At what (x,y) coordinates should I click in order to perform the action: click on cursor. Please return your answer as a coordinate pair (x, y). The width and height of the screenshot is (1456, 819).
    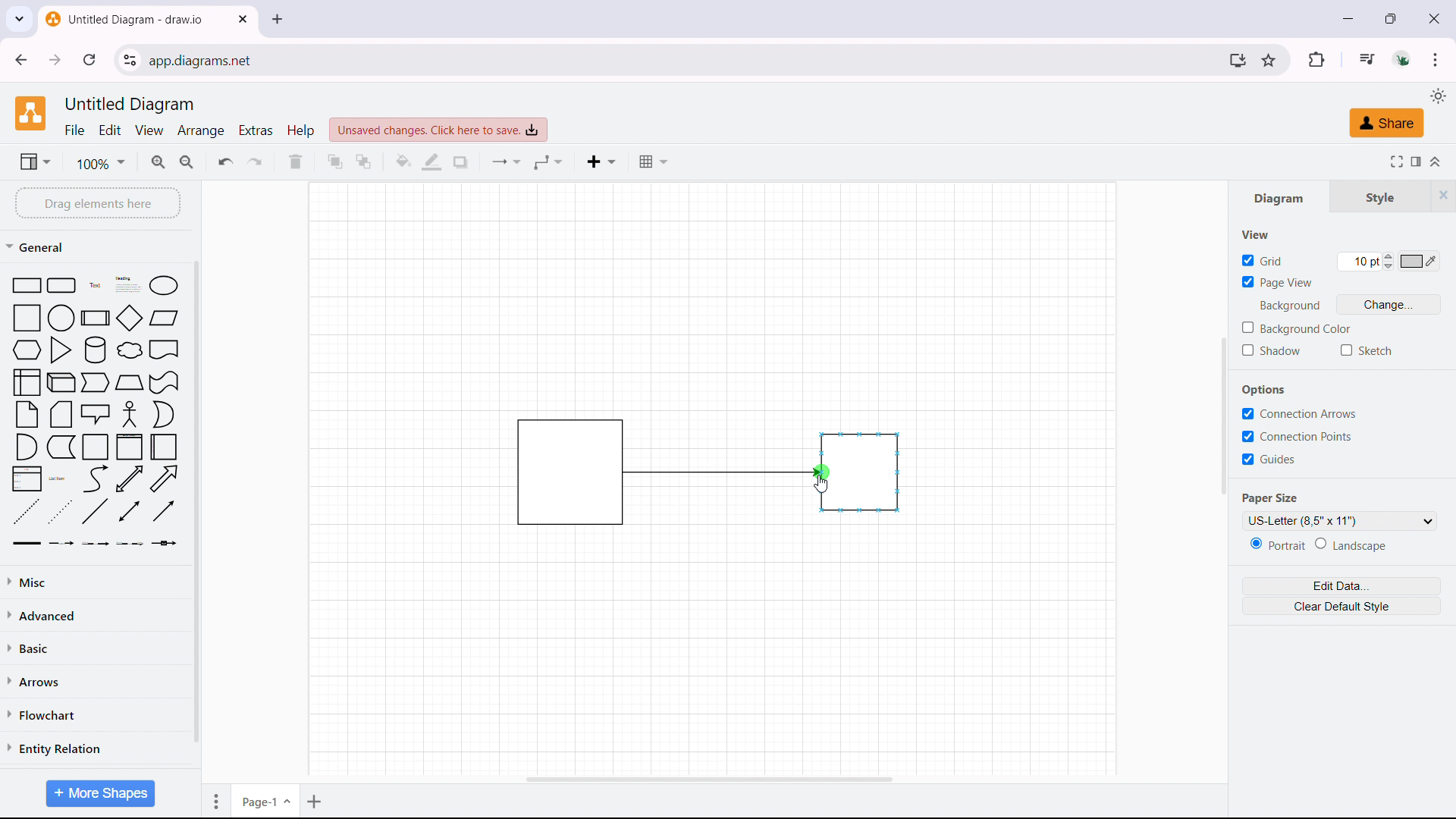
    Looking at the image, I should click on (821, 485).